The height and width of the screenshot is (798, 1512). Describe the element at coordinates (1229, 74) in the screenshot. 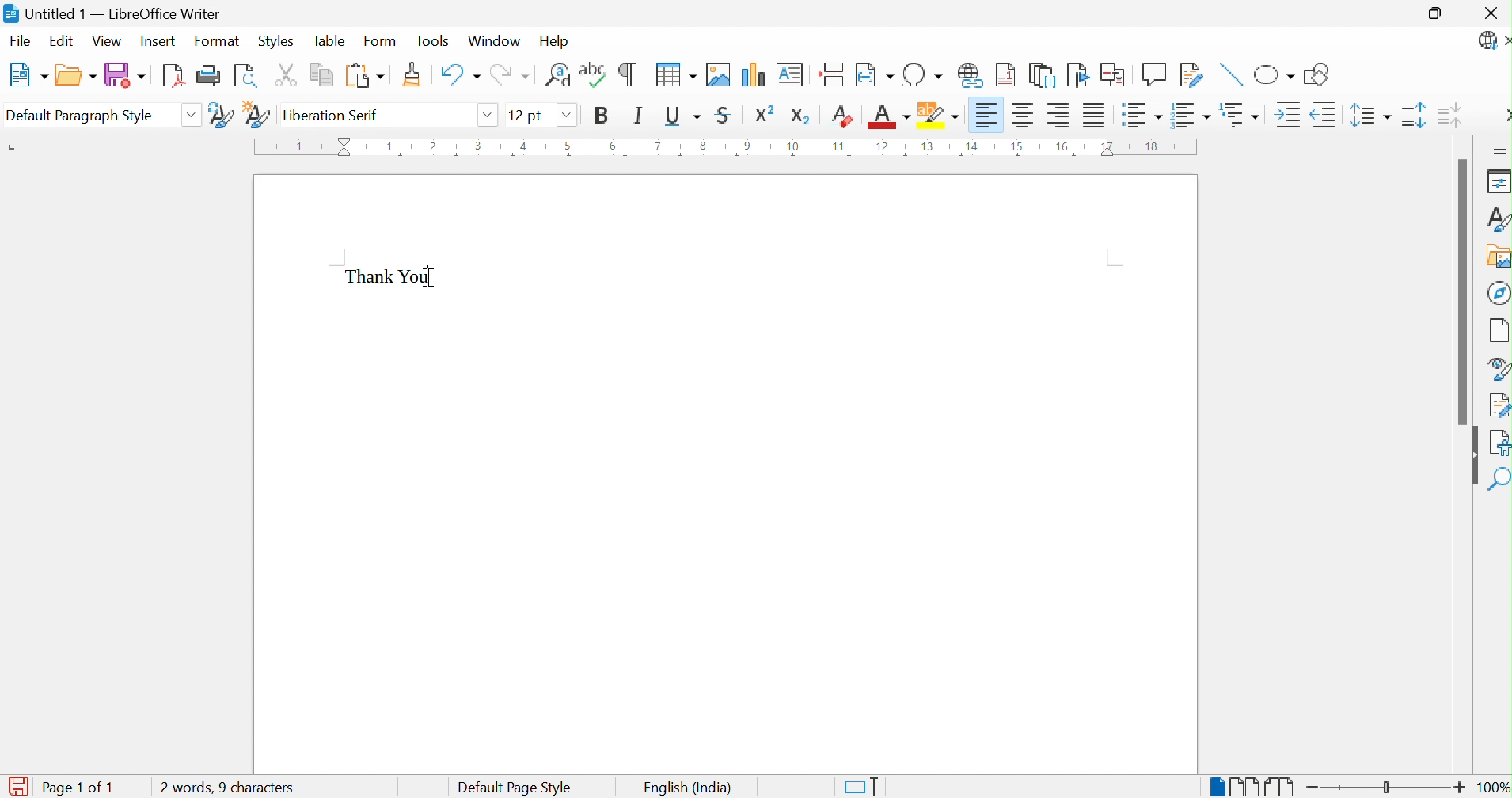

I see `Insert Line` at that location.